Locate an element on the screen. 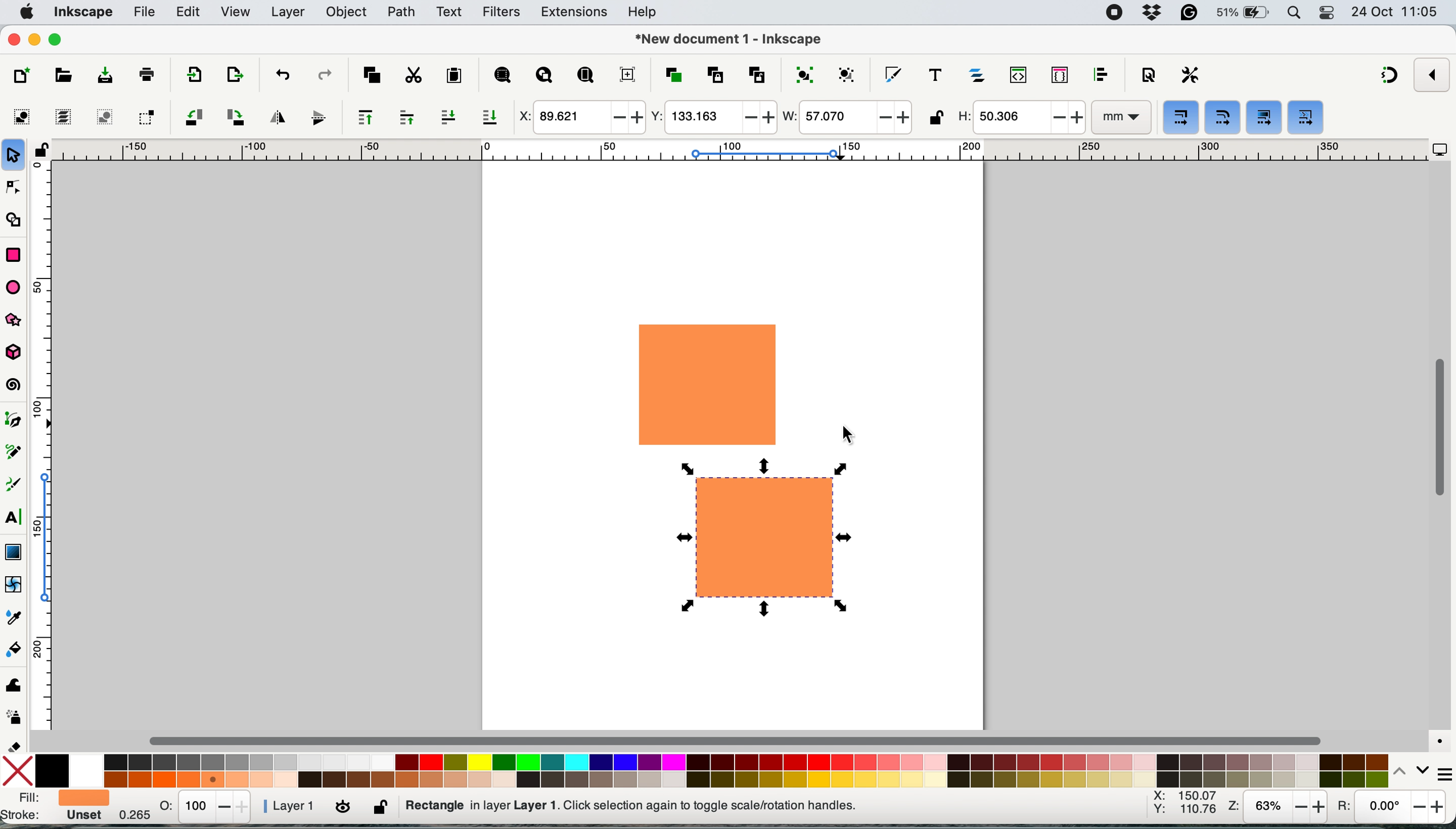  zoom is located at coordinates (1277, 808).